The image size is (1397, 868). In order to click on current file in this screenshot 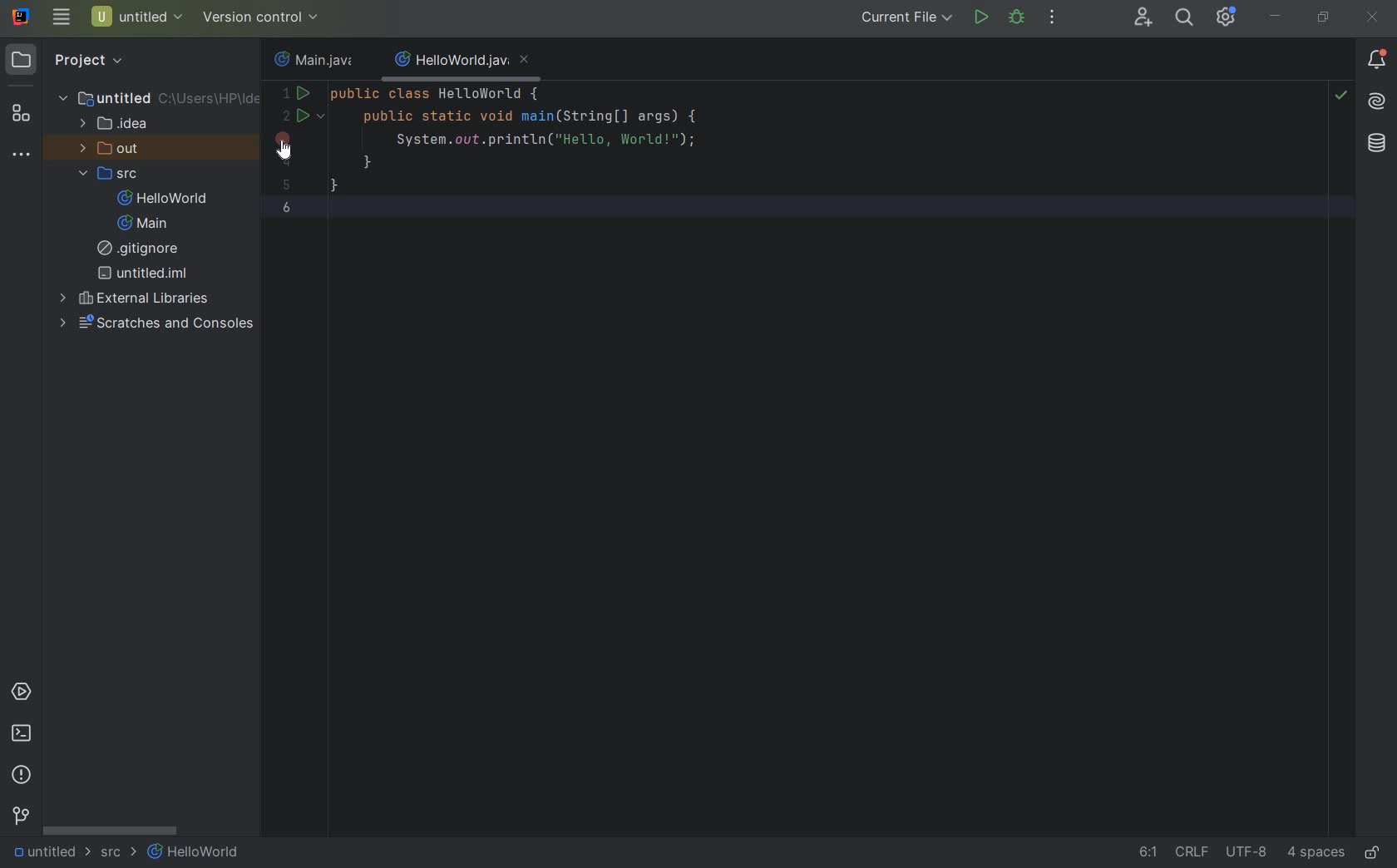, I will do `click(909, 18)`.